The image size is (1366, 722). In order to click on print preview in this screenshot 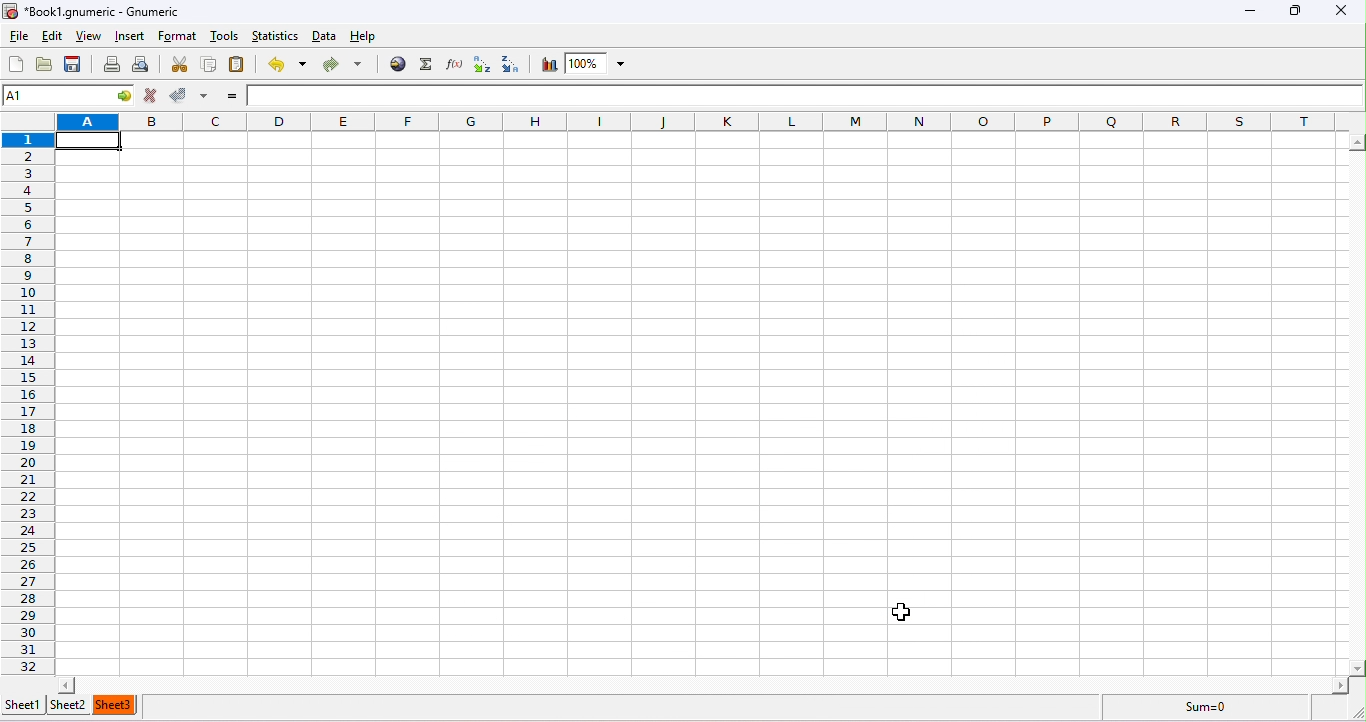, I will do `click(148, 65)`.